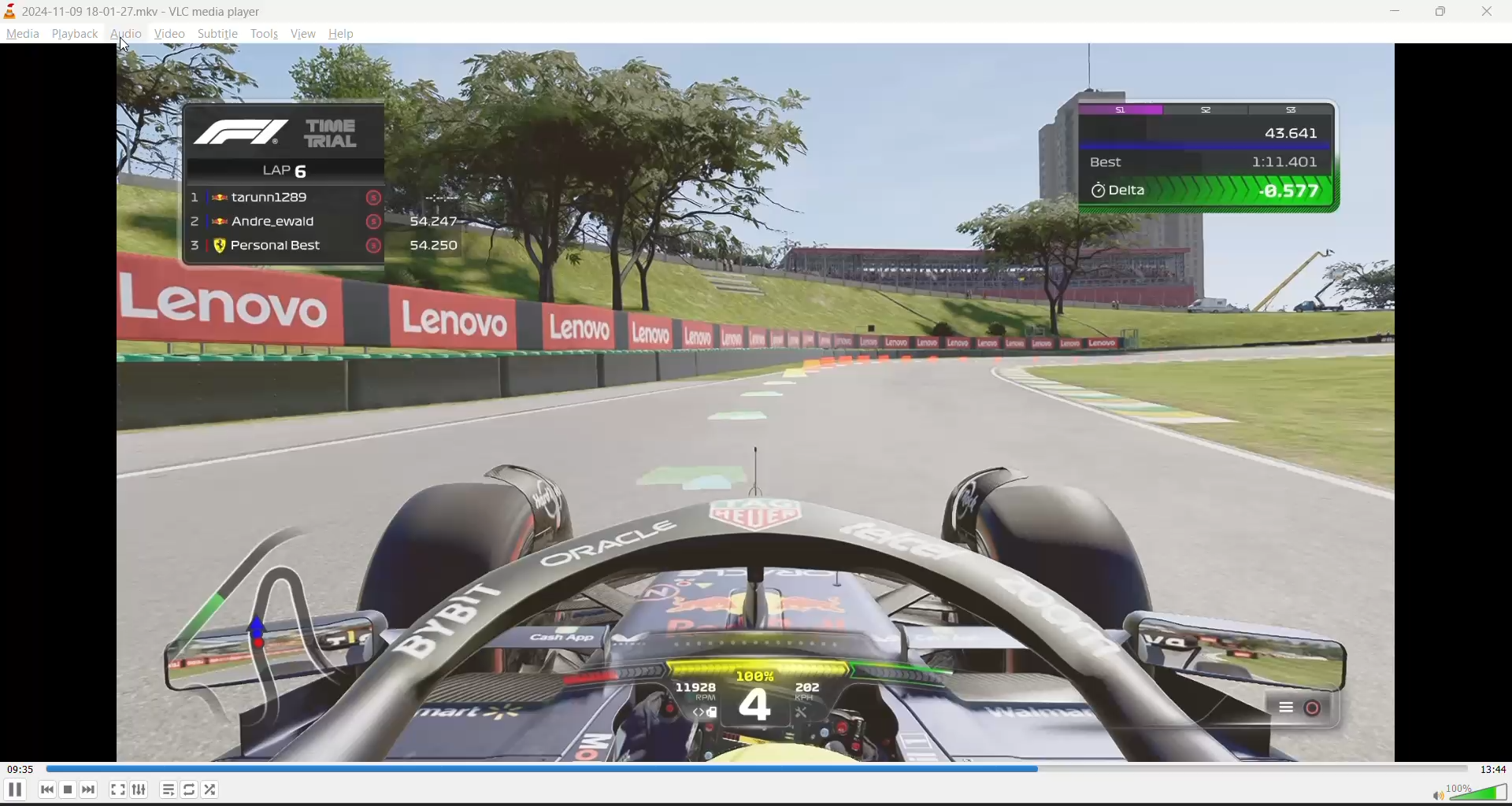  Describe the element at coordinates (124, 45) in the screenshot. I see `cursor` at that location.